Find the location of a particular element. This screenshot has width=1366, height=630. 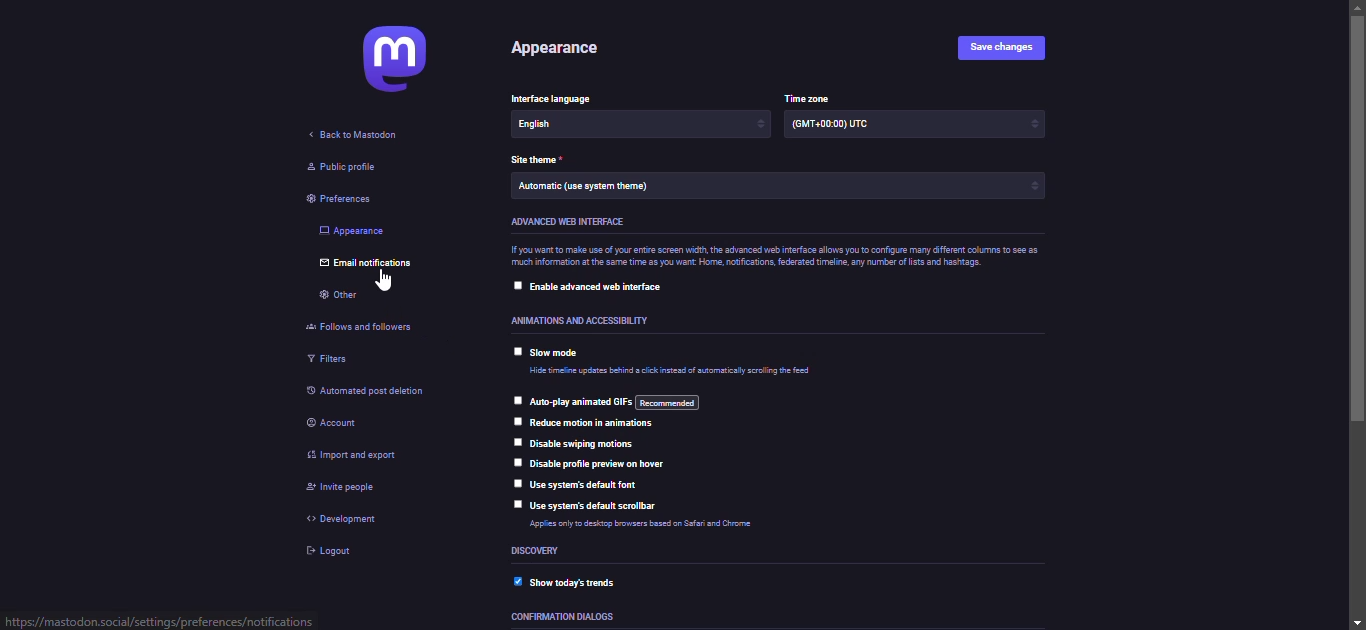

account is located at coordinates (336, 423).